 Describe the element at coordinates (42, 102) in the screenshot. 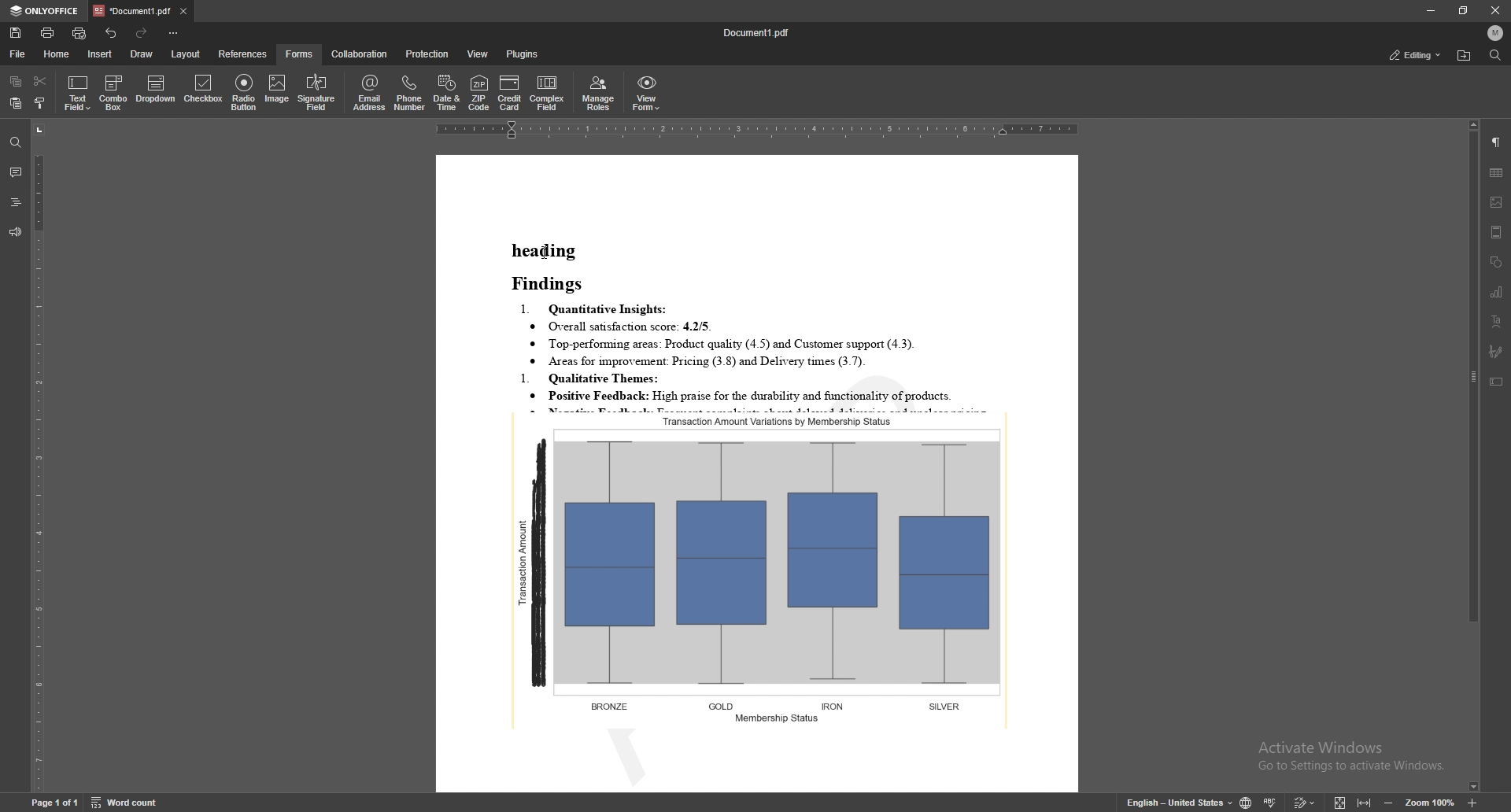

I see `copy style` at that location.